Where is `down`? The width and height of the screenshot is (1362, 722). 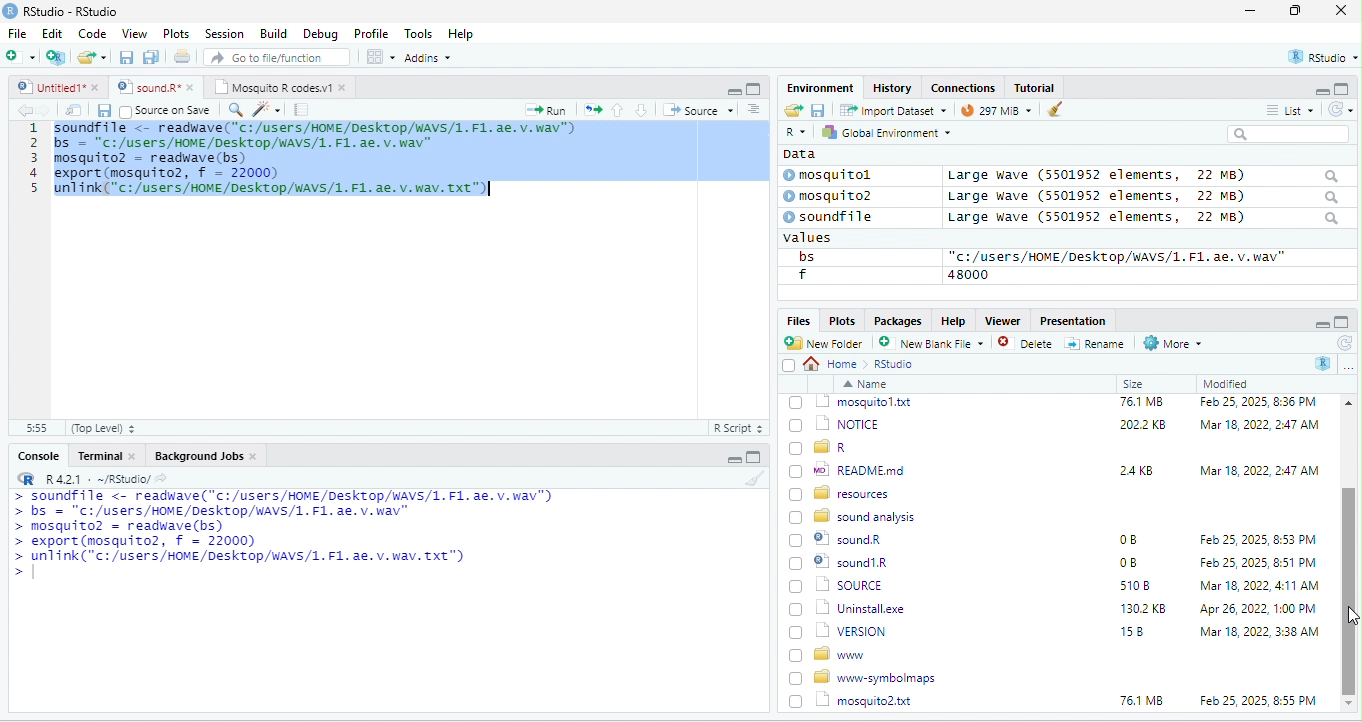 down is located at coordinates (642, 109).